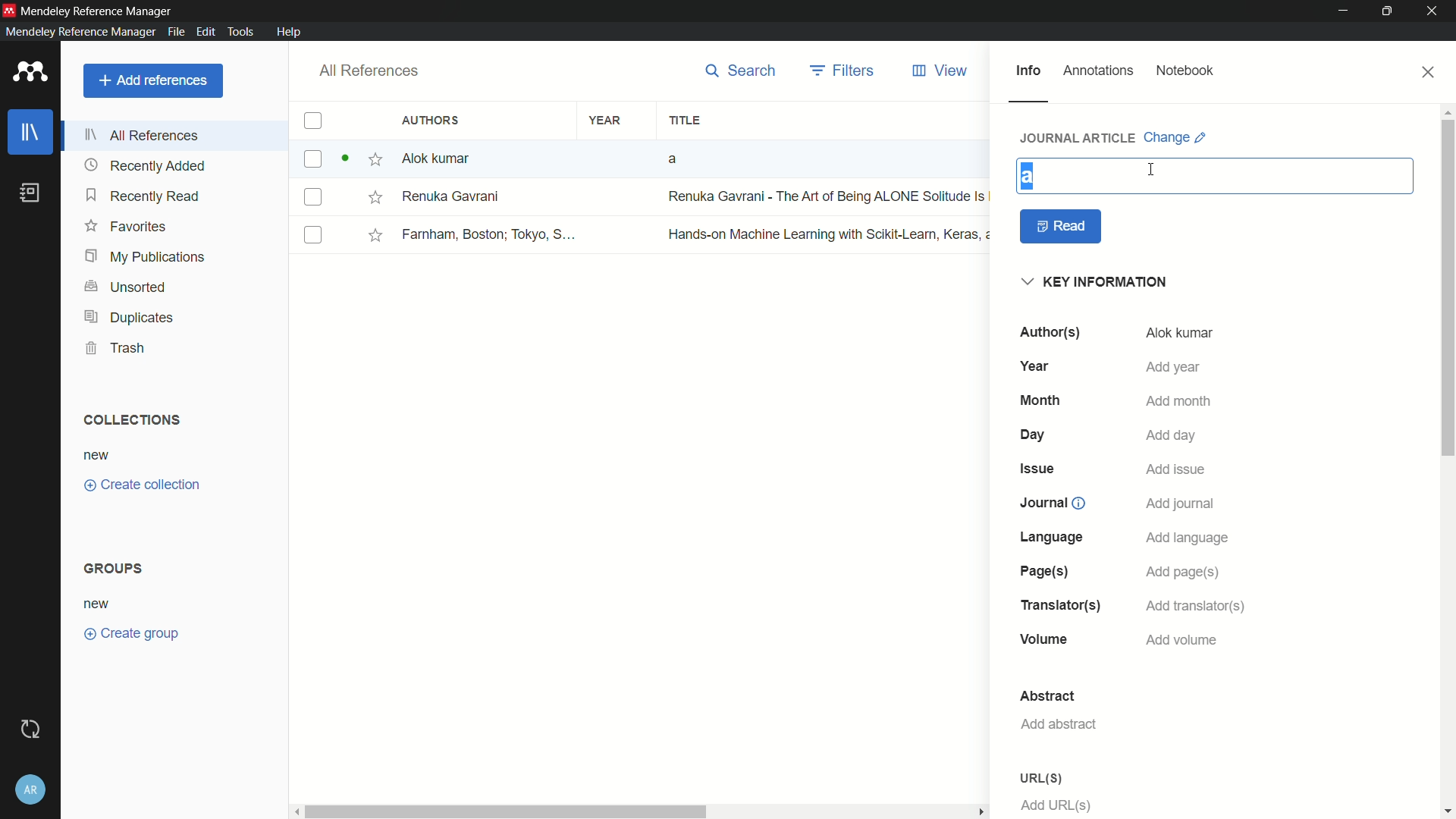  Describe the element at coordinates (145, 166) in the screenshot. I see `recently added` at that location.